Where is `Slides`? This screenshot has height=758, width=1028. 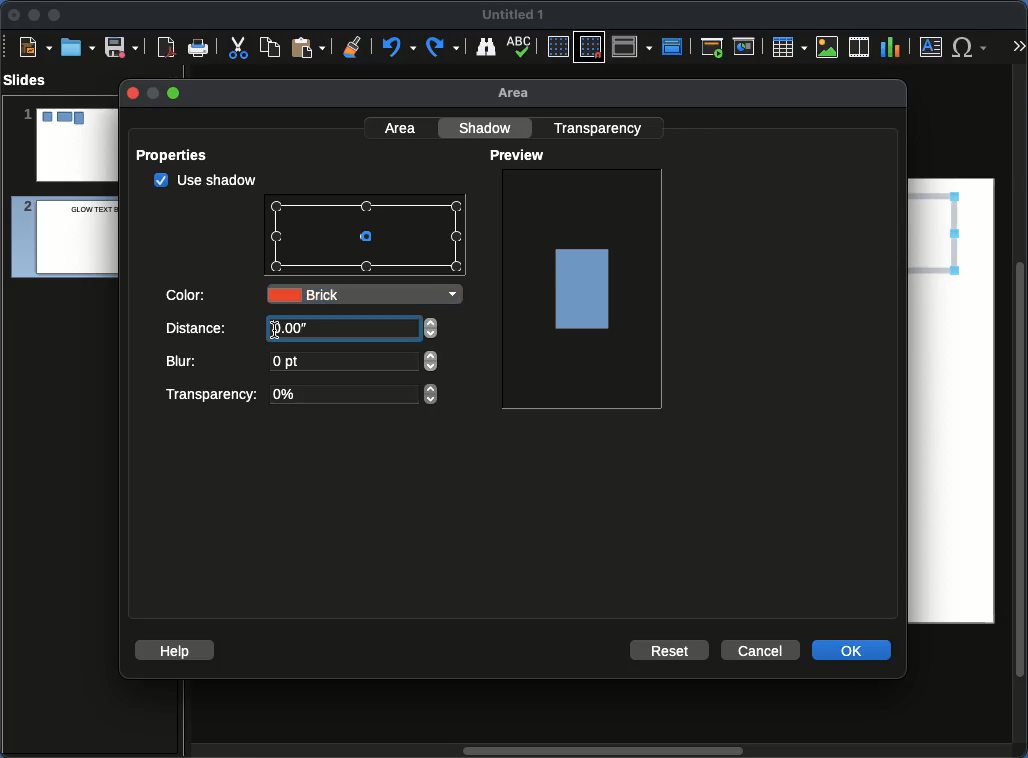 Slides is located at coordinates (31, 80).